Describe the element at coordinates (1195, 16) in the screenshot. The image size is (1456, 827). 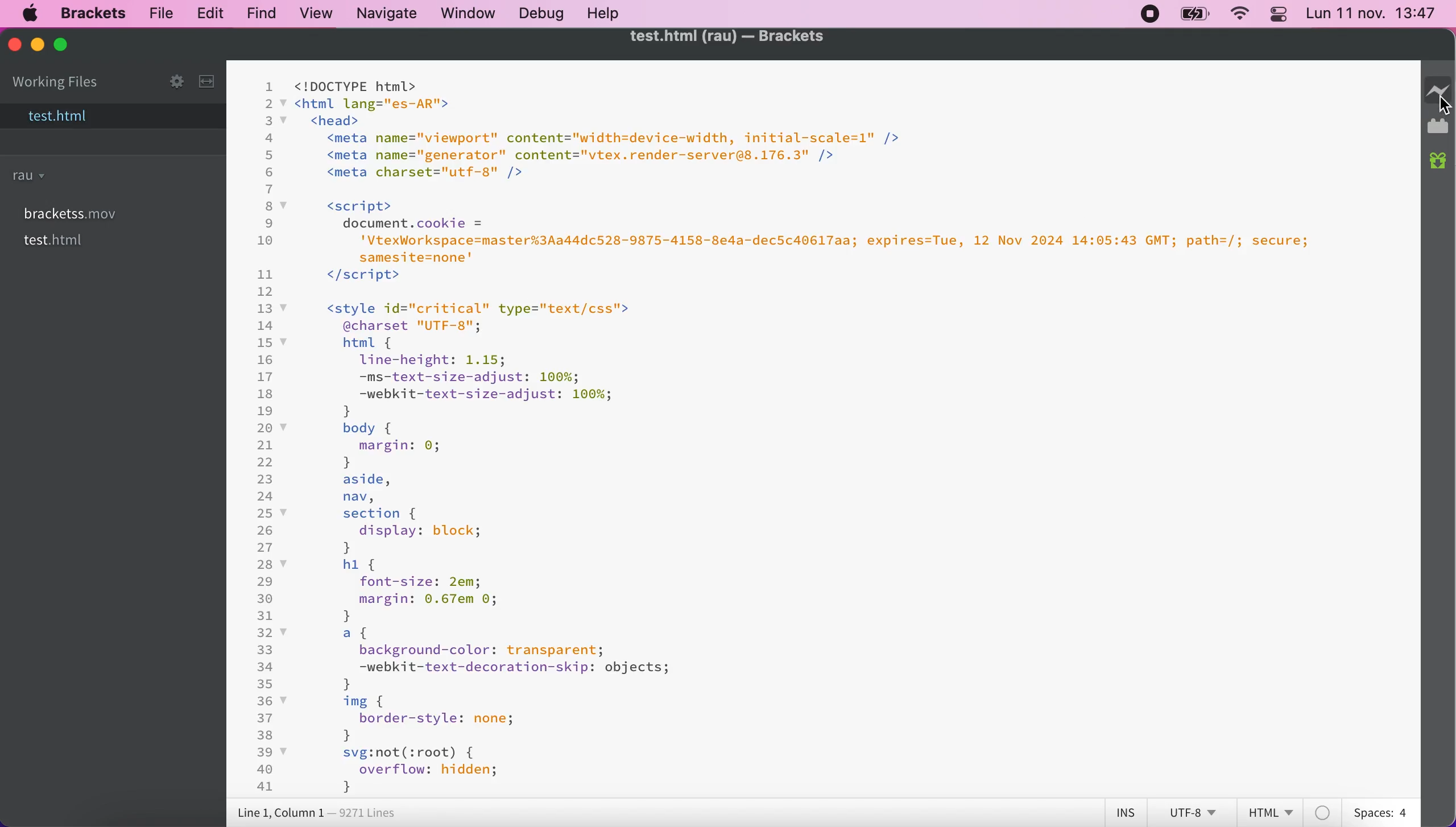
I see `battery` at that location.